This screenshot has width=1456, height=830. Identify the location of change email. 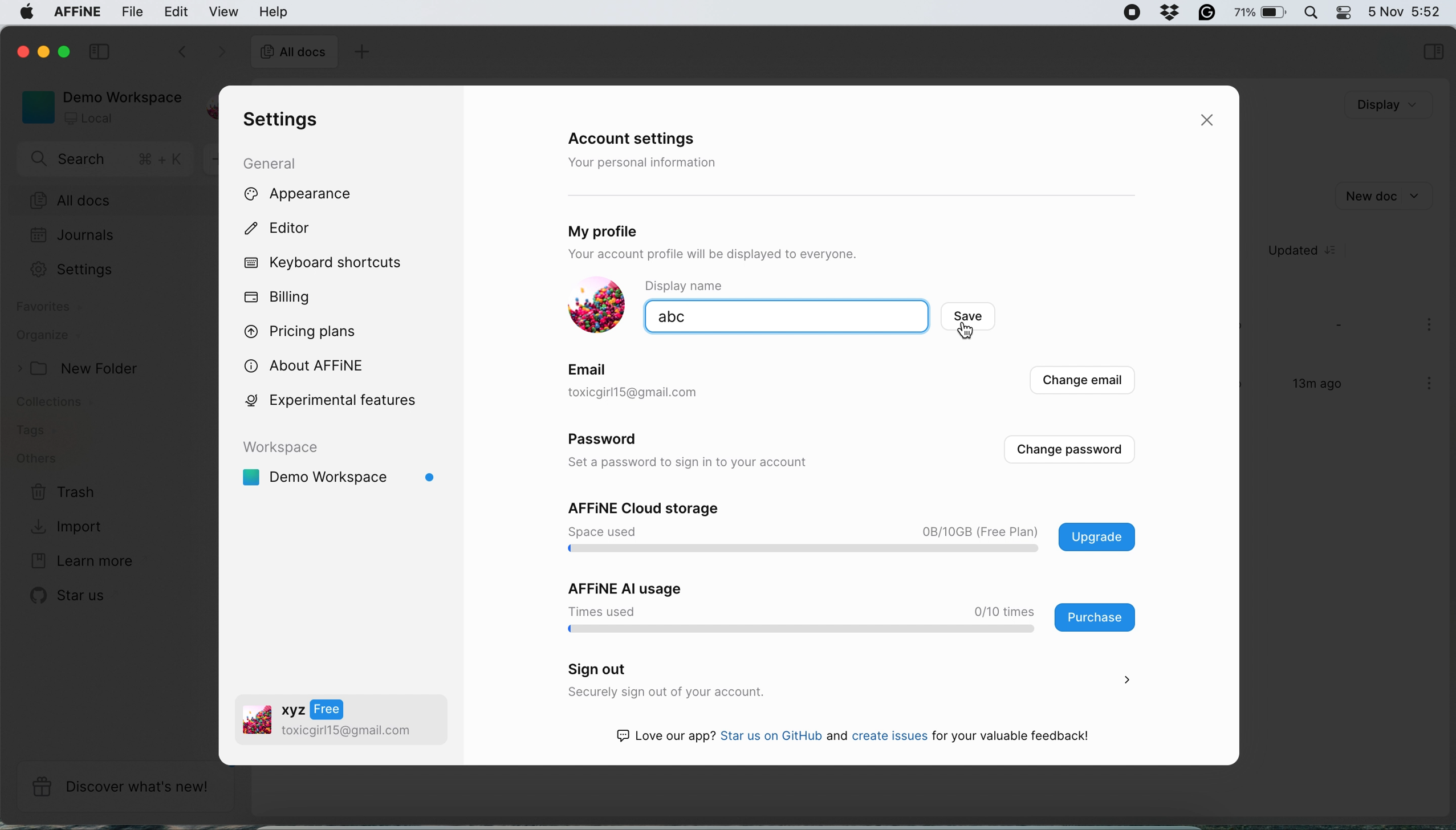
(1080, 383).